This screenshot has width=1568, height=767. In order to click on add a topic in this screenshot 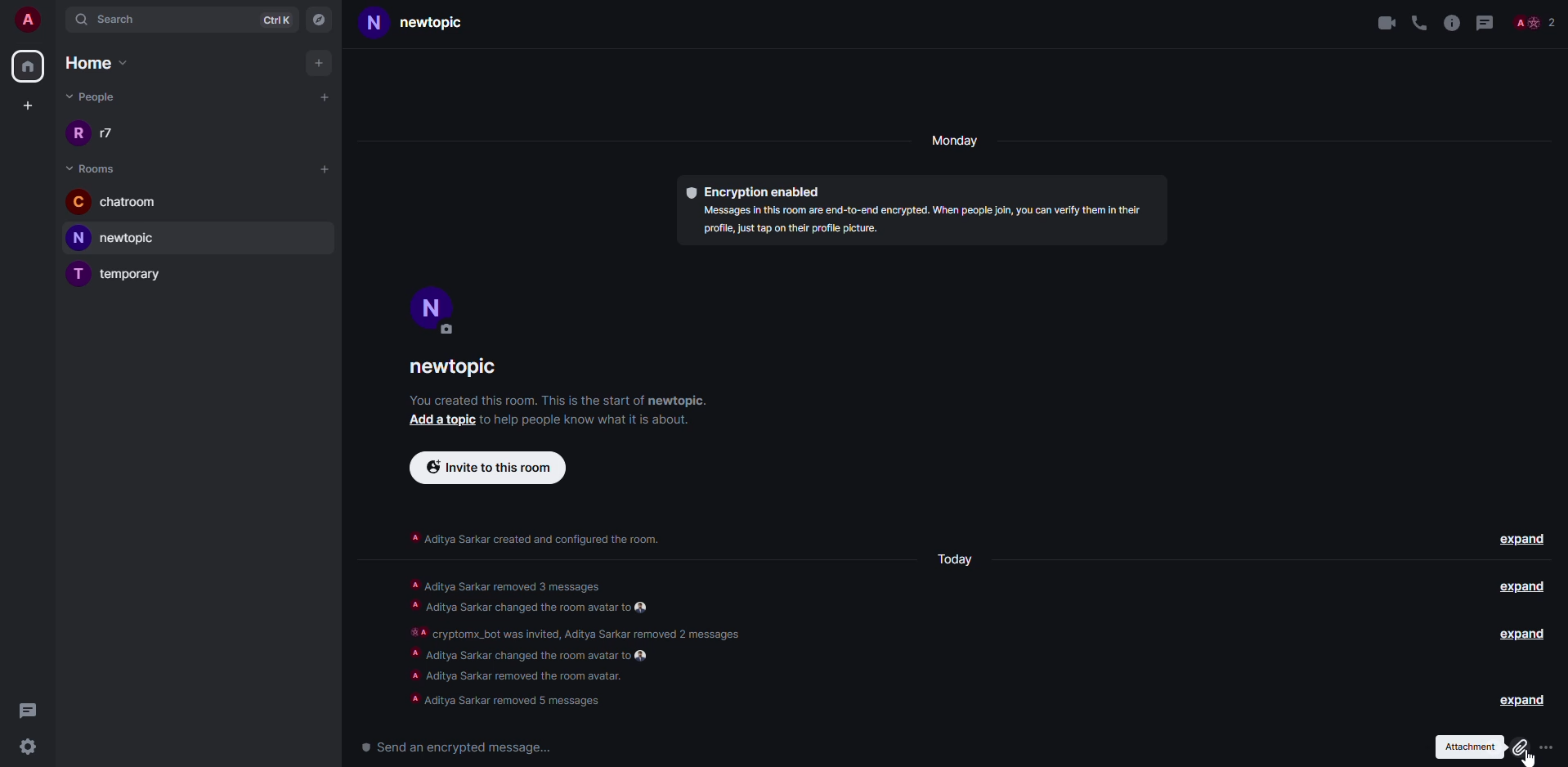, I will do `click(439, 420)`.